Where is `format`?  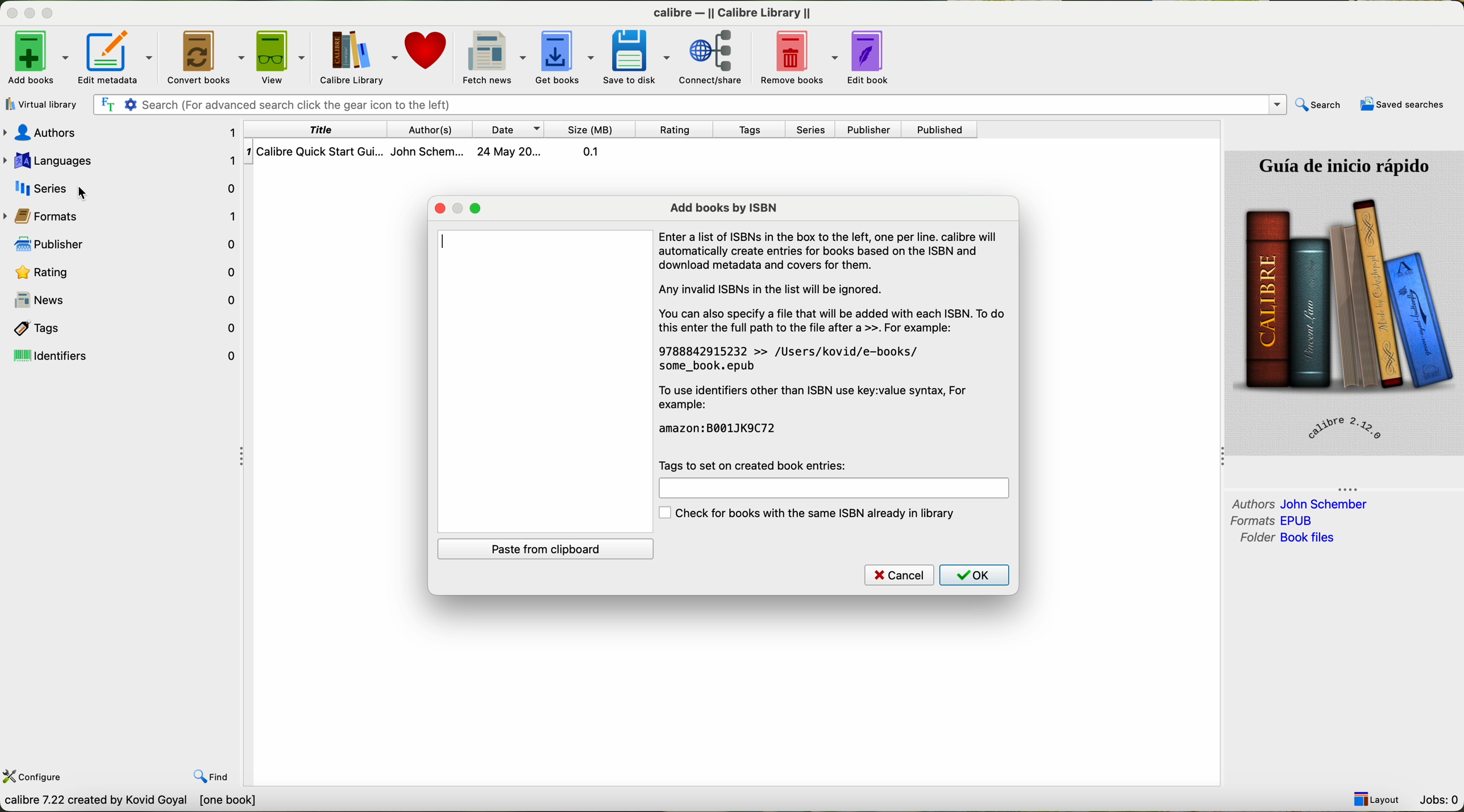 format is located at coordinates (57, 217).